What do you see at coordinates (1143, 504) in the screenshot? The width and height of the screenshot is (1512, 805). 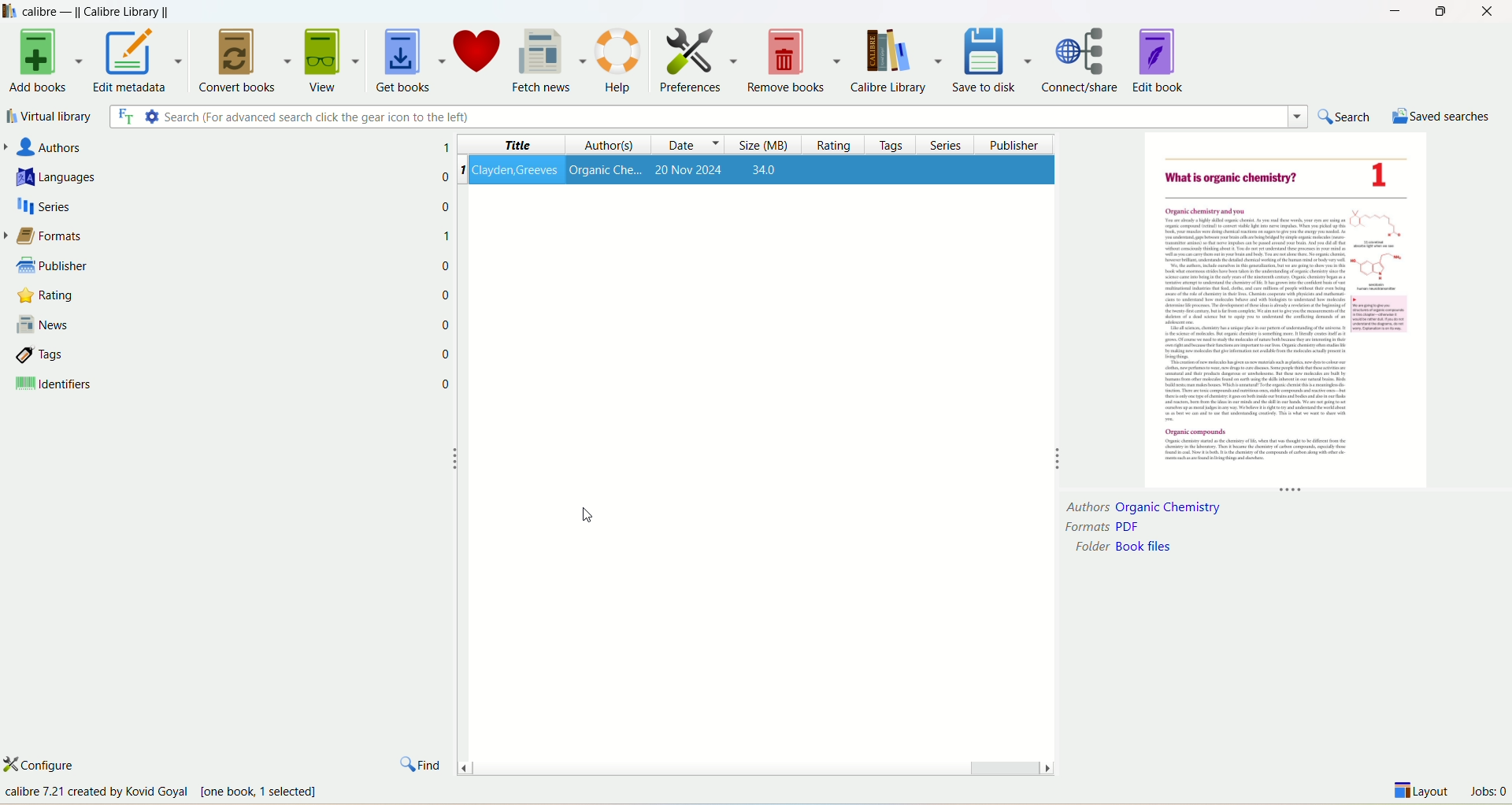 I see `authors` at bounding box center [1143, 504].